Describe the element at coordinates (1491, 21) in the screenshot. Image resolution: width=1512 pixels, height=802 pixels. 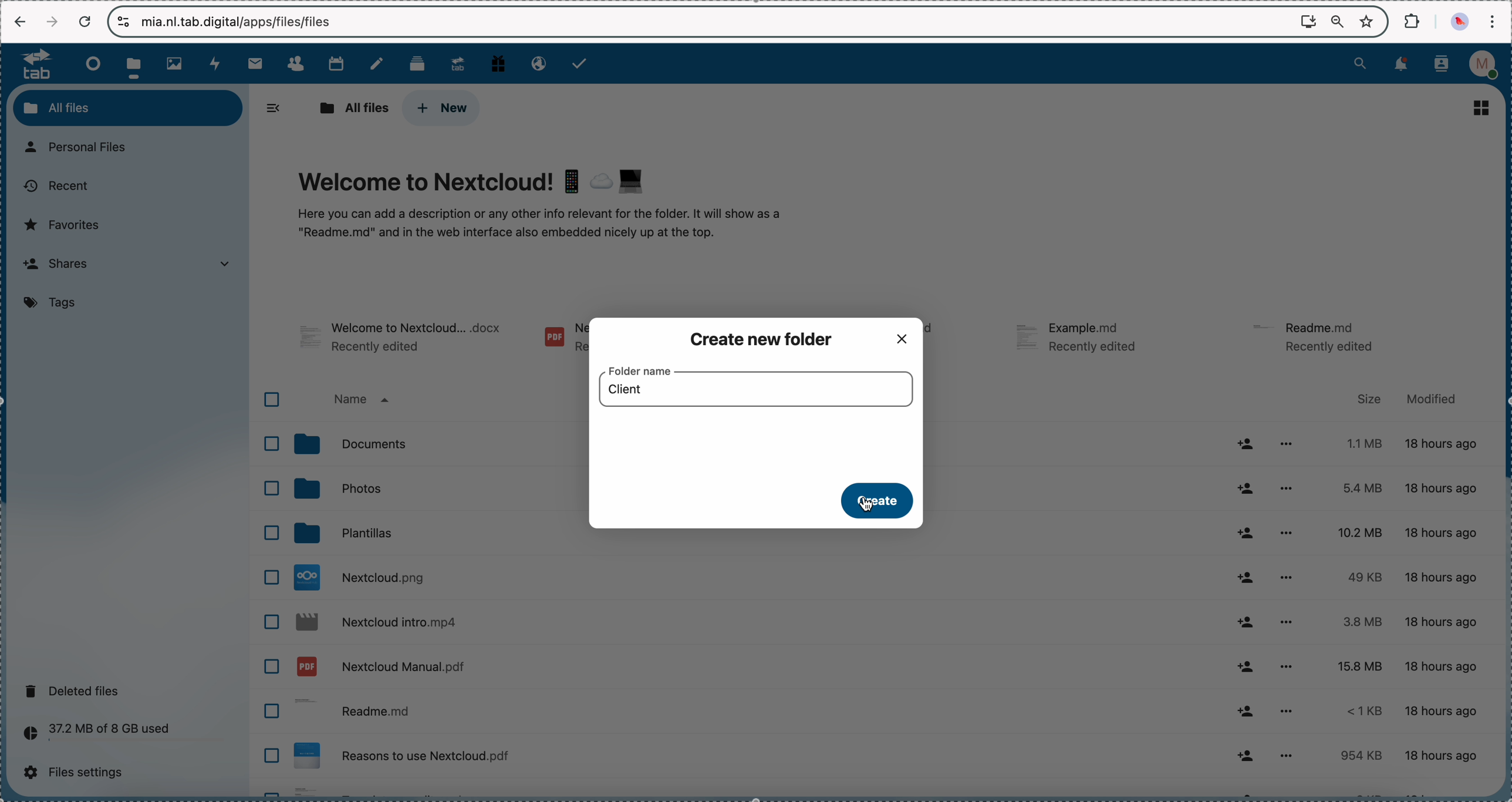
I see `customize and control Google Chrome` at that location.